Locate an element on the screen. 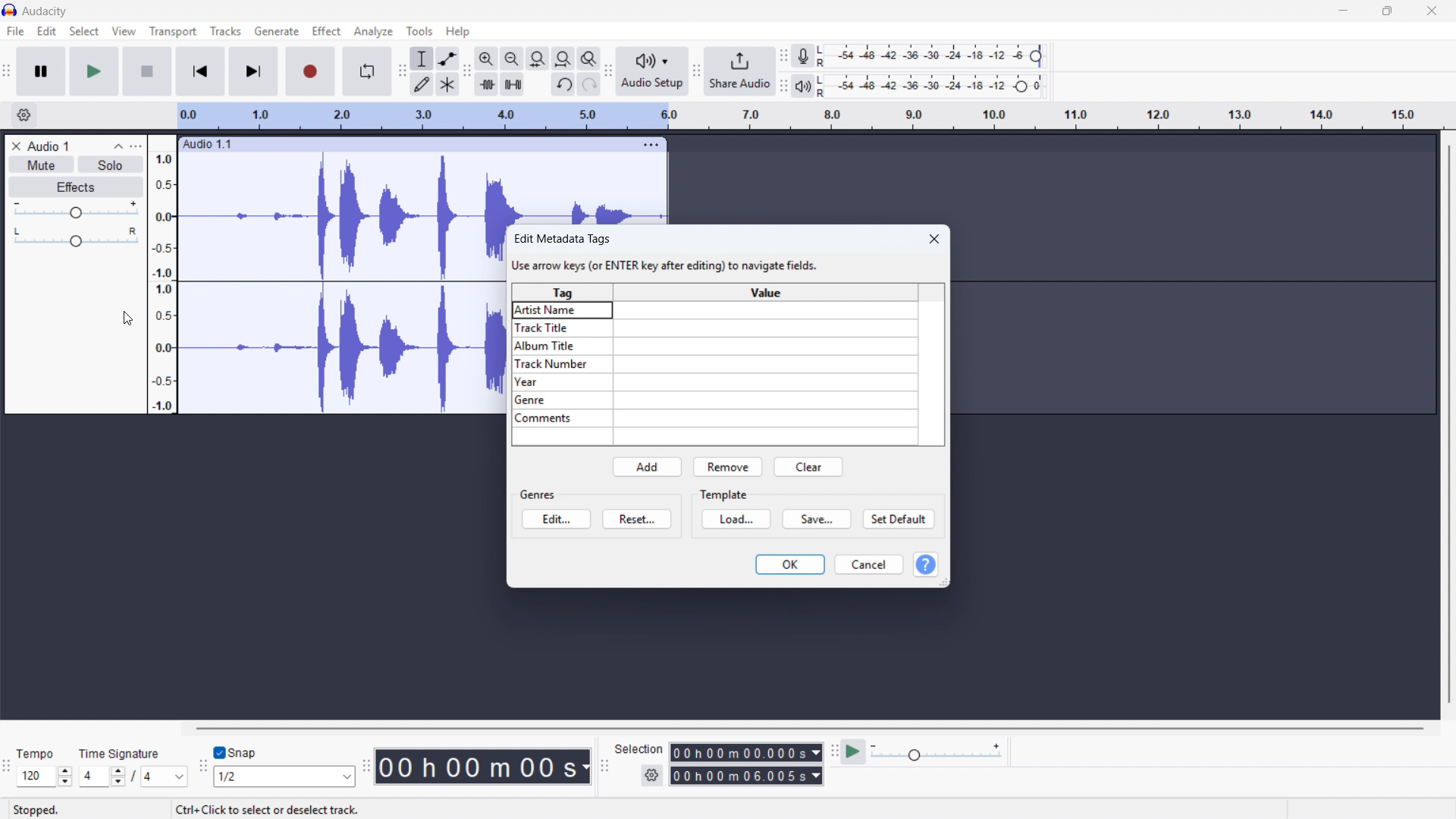 This screenshot has width=1456, height=819. ok is located at coordinates (791, 565).